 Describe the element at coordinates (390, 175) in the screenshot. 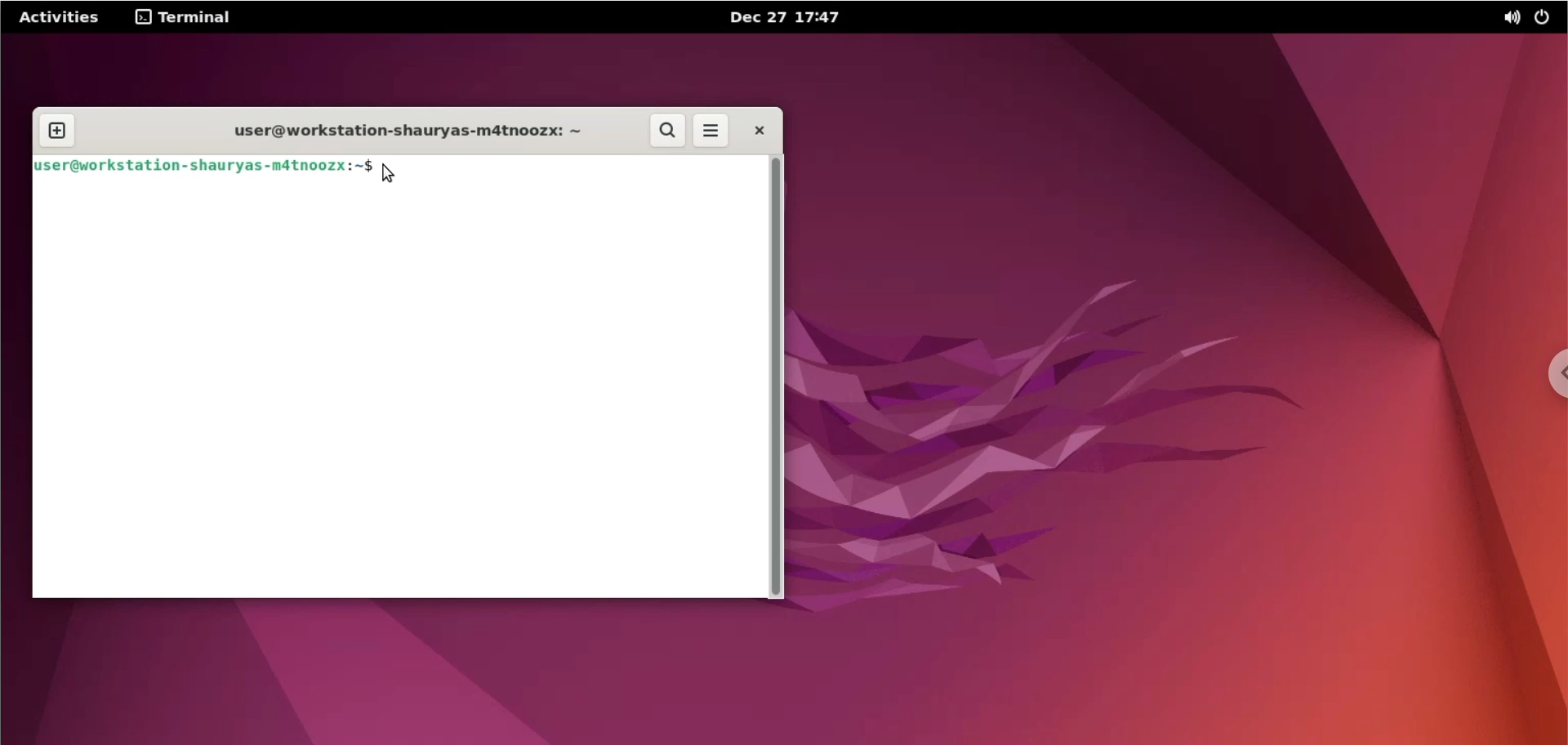

I see `mouse pointer` at that location.